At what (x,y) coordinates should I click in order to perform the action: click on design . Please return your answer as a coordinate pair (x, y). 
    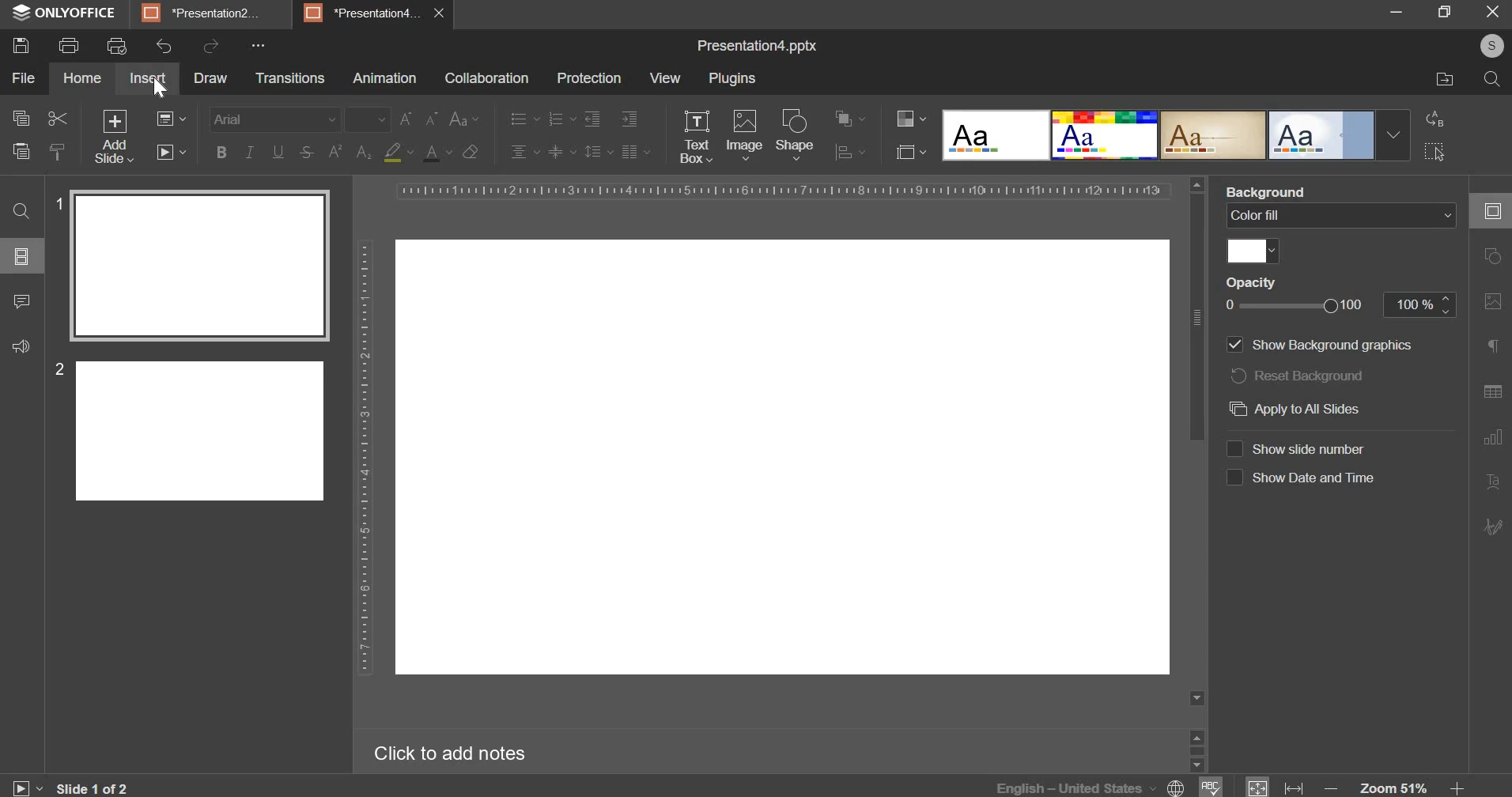
    Looking at the image, I should click on (1177, 135).